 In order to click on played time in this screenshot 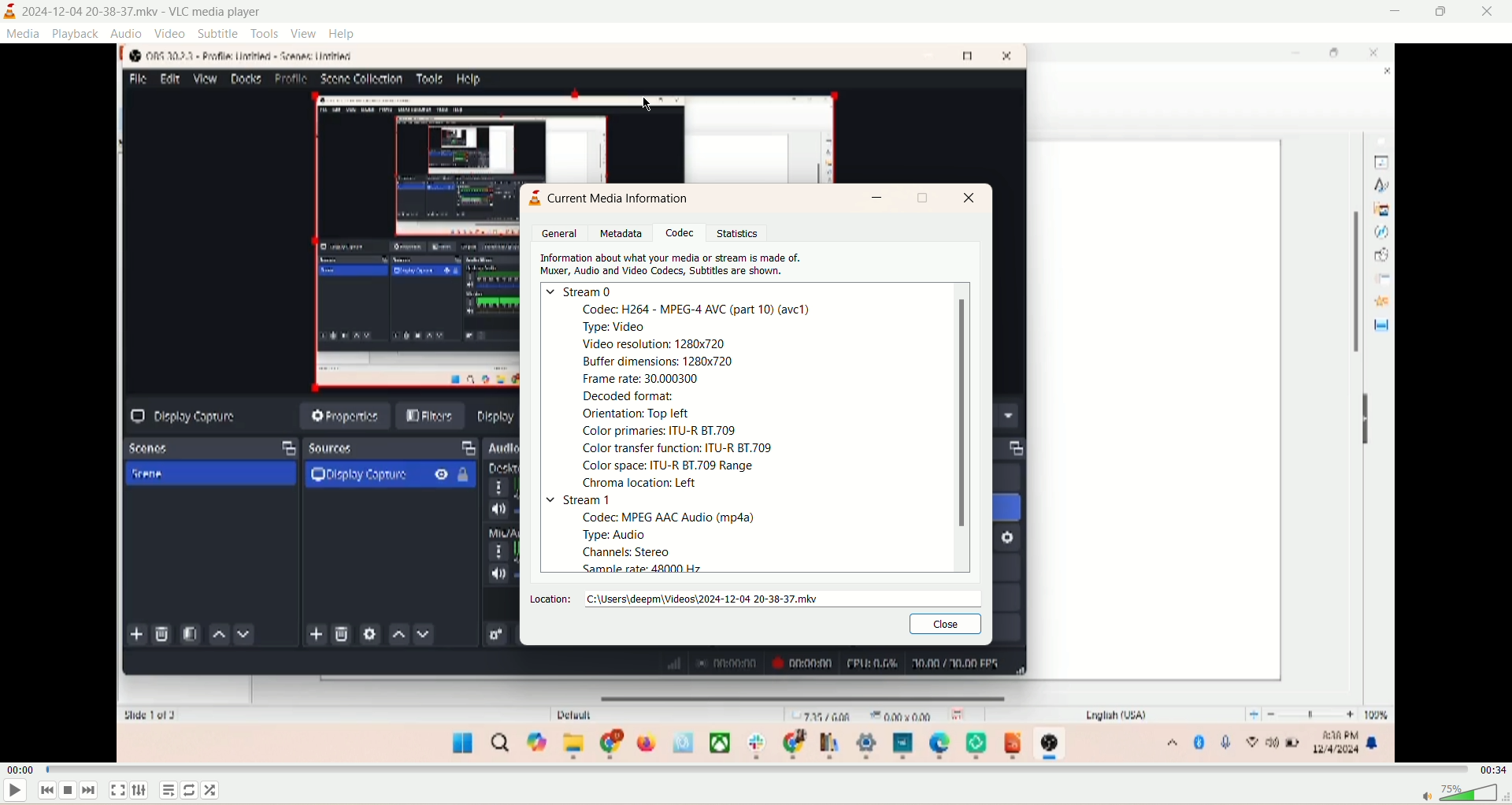, I will do `click(20, 773)`.